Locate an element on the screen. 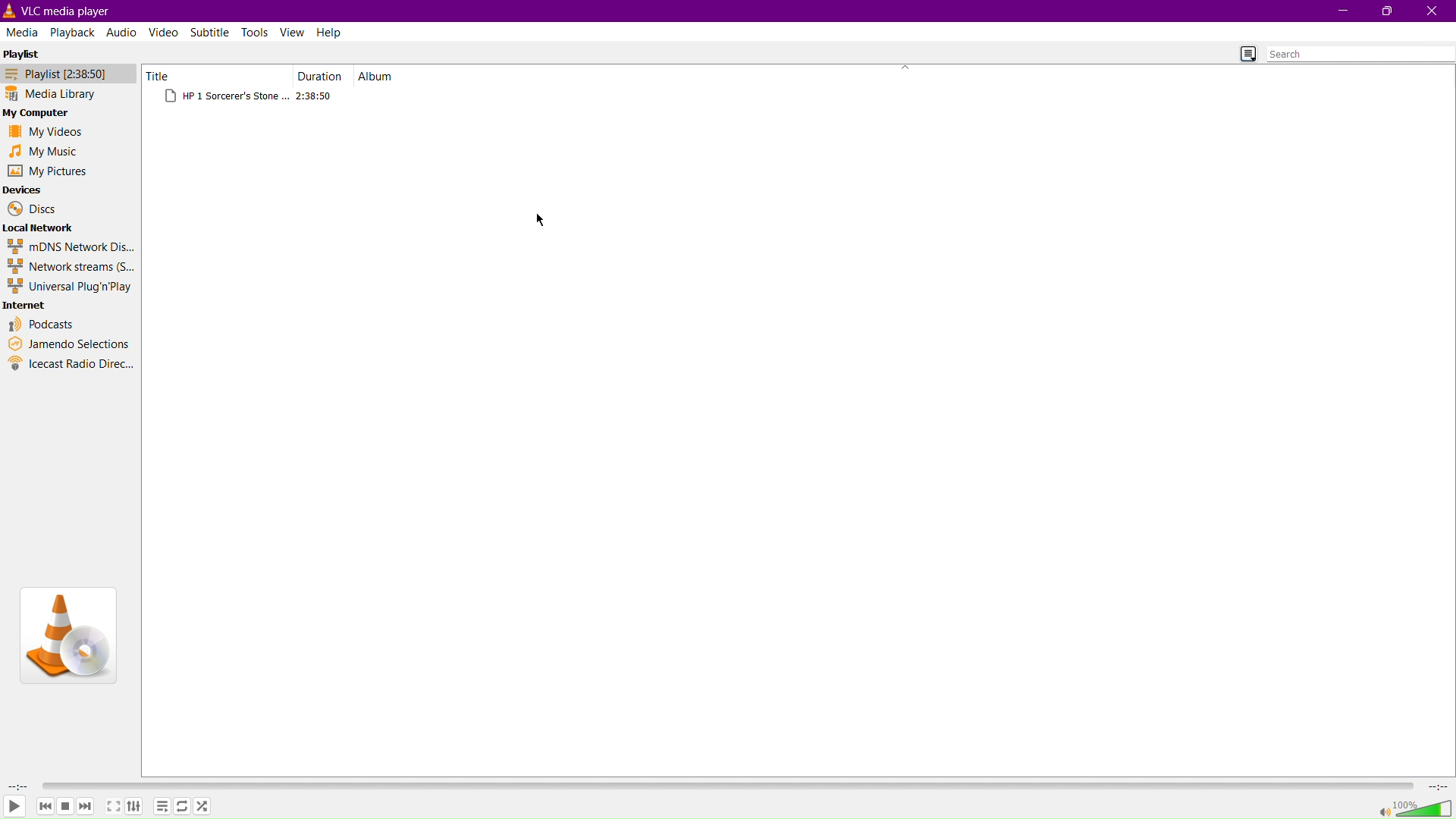 The image size is (1456, 819). Close is located at coordinates (1432, 11).